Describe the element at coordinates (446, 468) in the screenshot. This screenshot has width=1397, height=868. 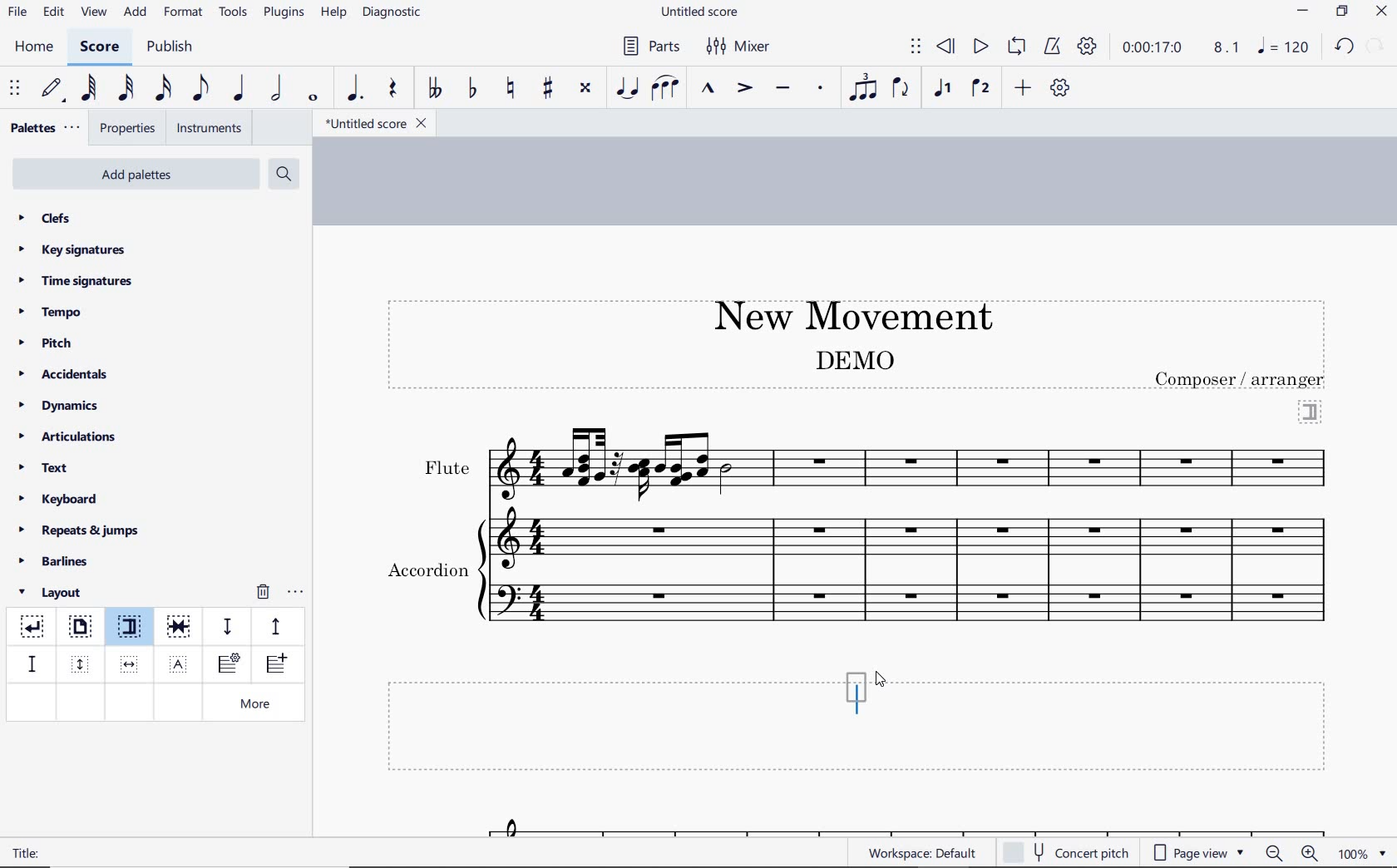
I see `text` at that location.